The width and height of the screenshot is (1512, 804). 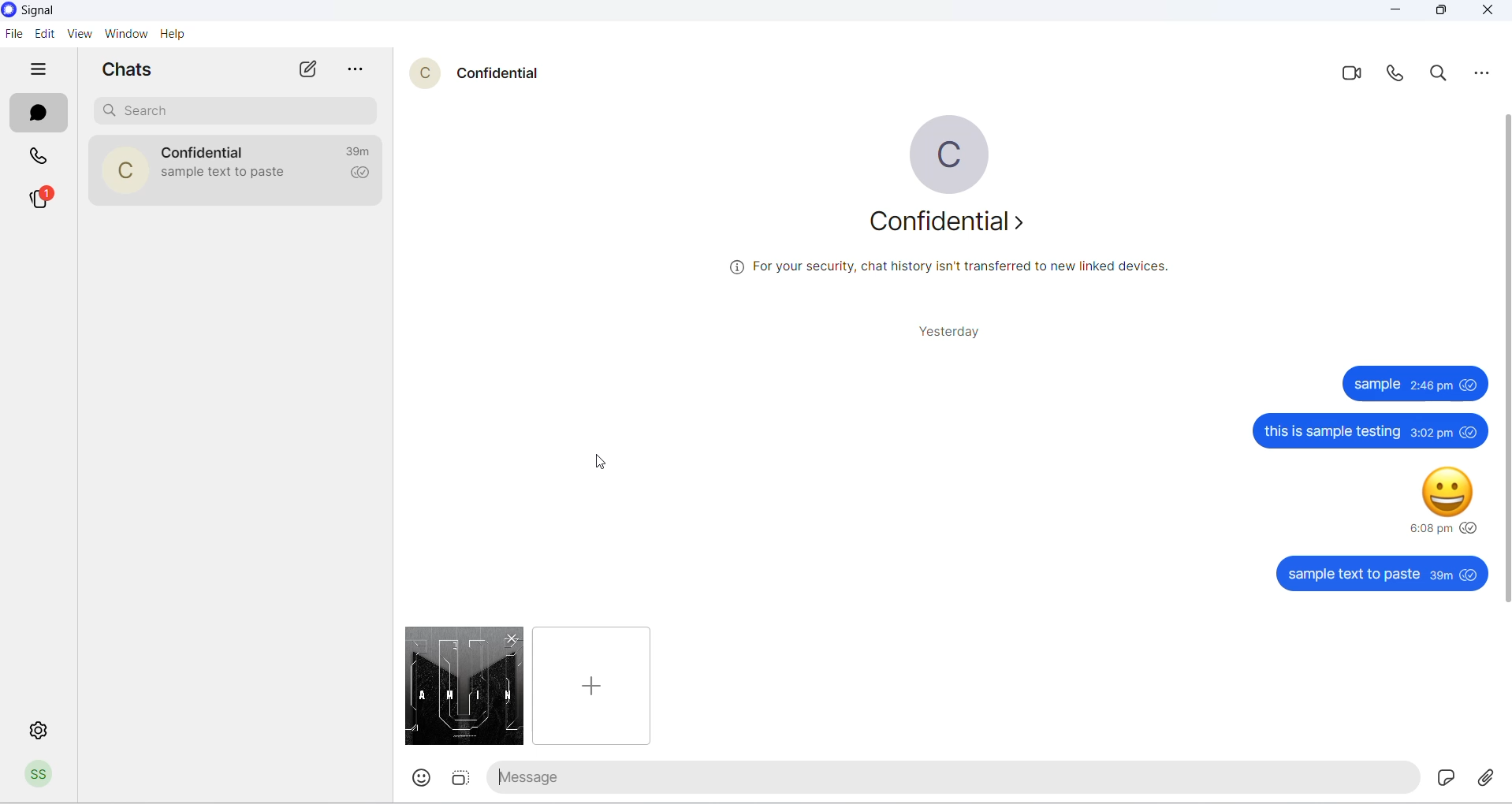 I want to click on emojis, so click(x=423, y=778).